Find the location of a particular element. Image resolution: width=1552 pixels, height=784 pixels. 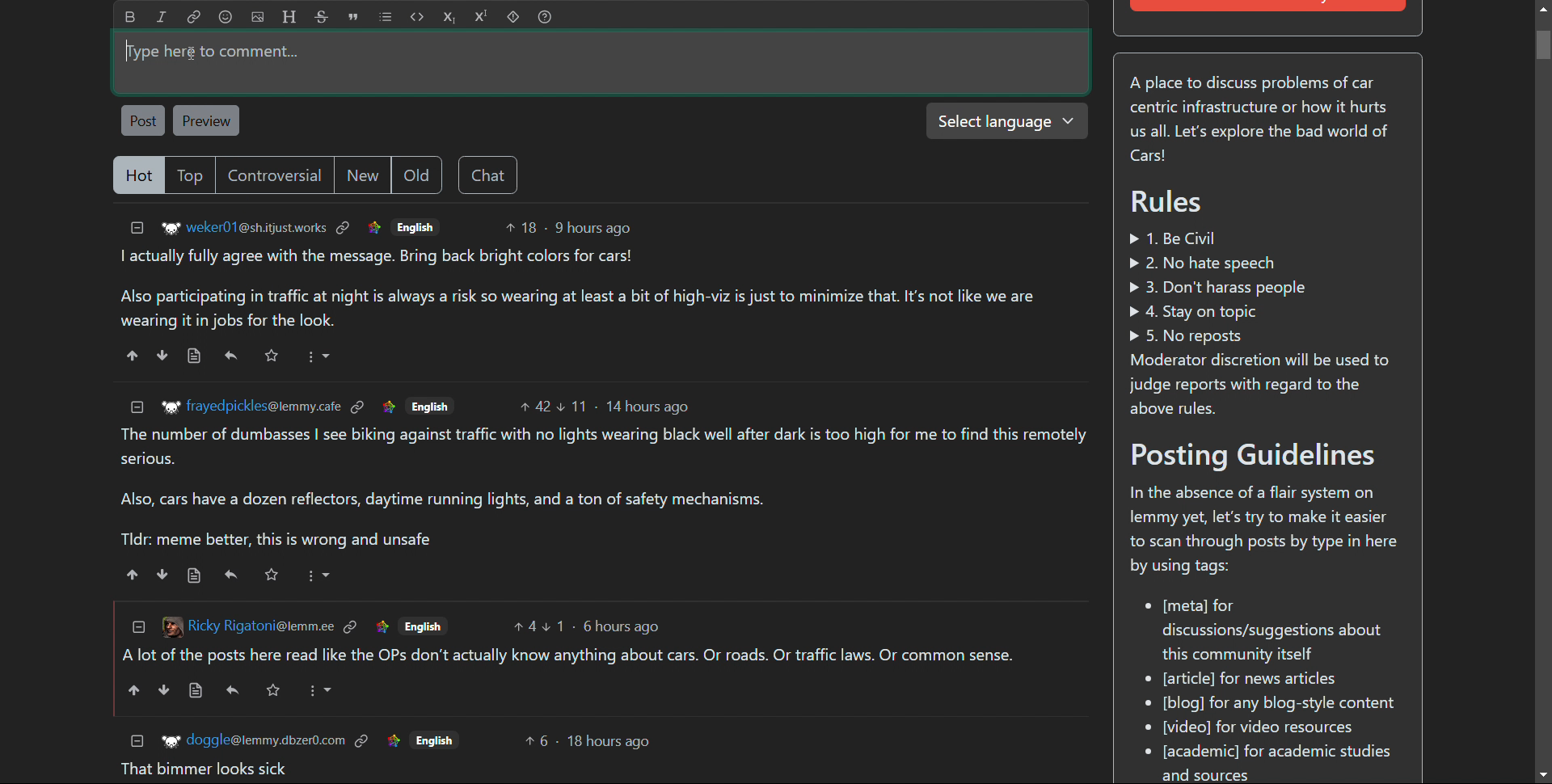

reply is located at coordinates (233, 689).